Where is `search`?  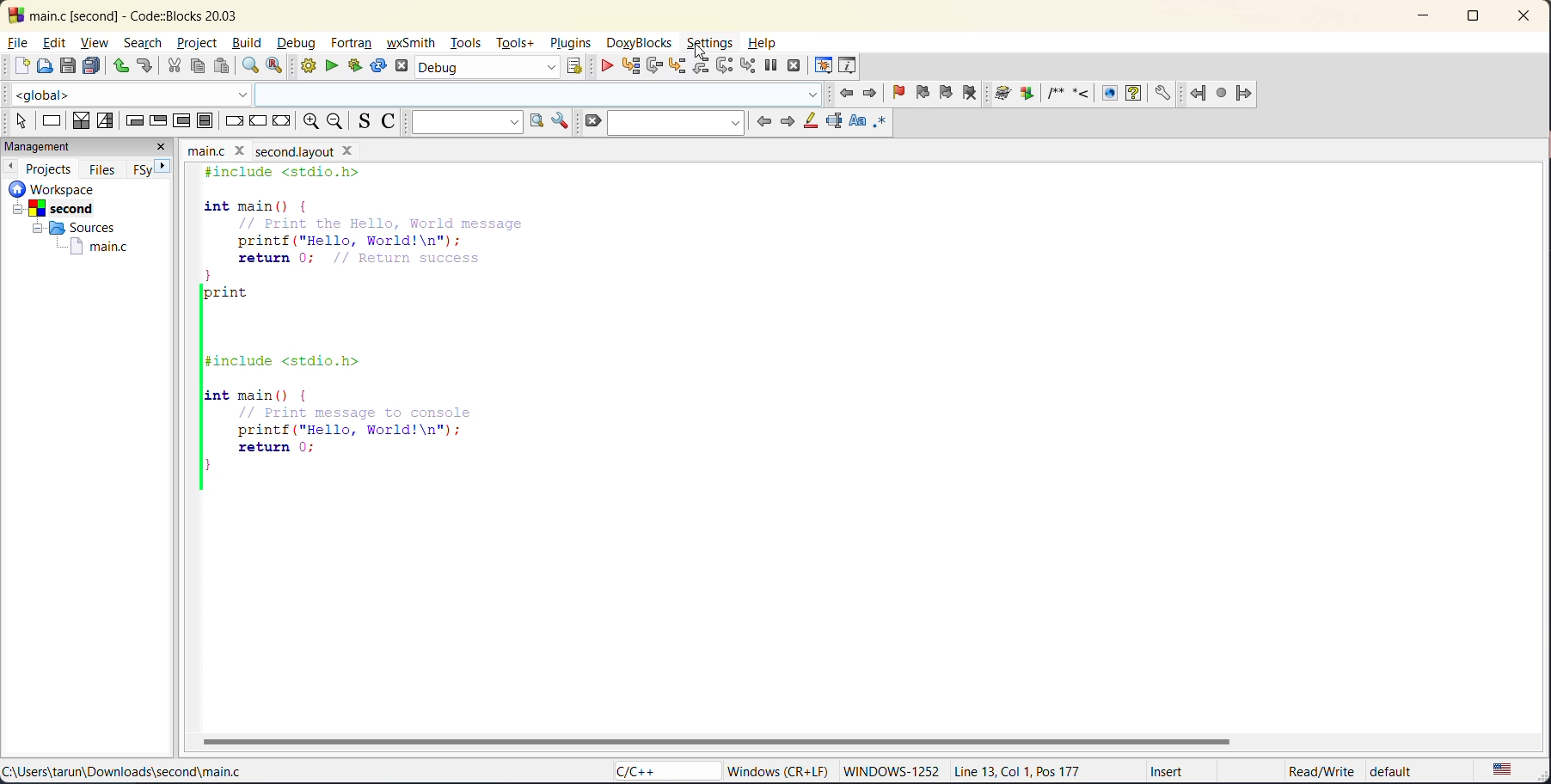 search is located at coordinates (674, 121).